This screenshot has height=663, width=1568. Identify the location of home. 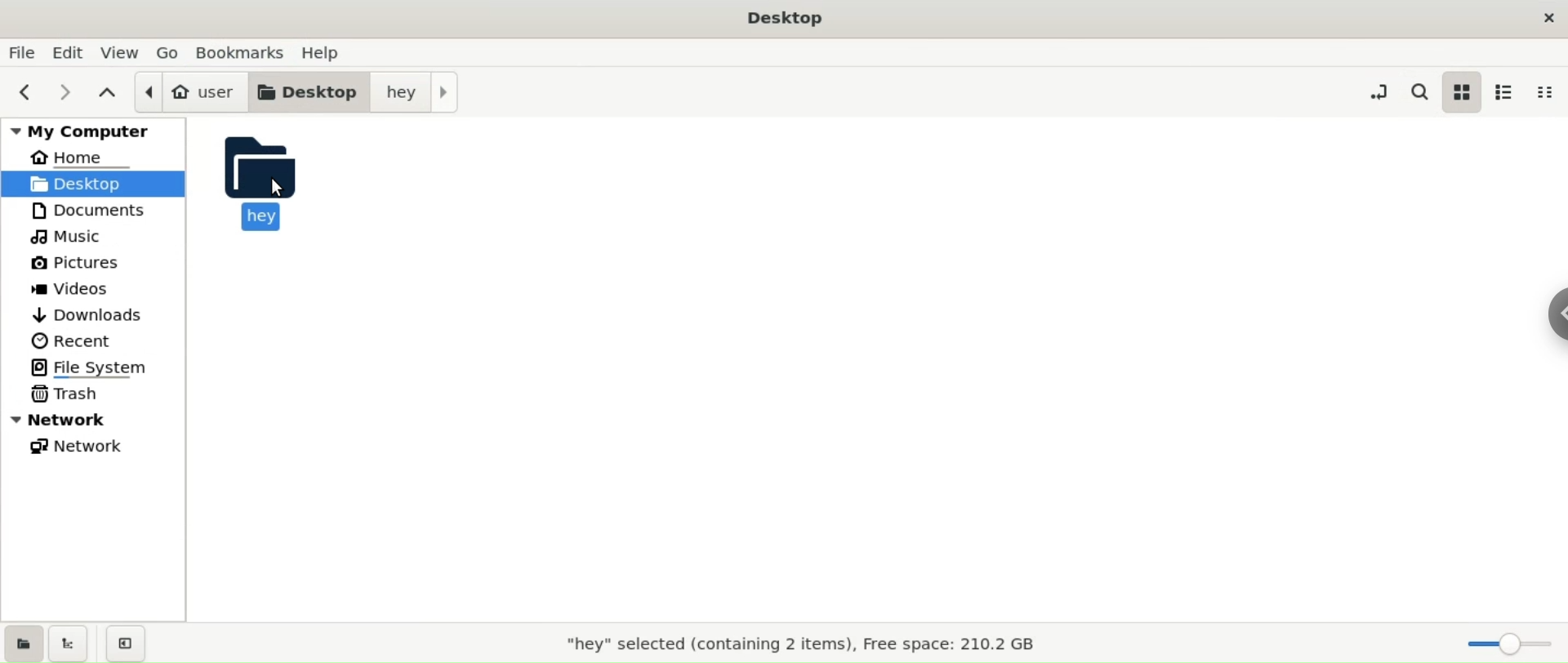
(85, 156).